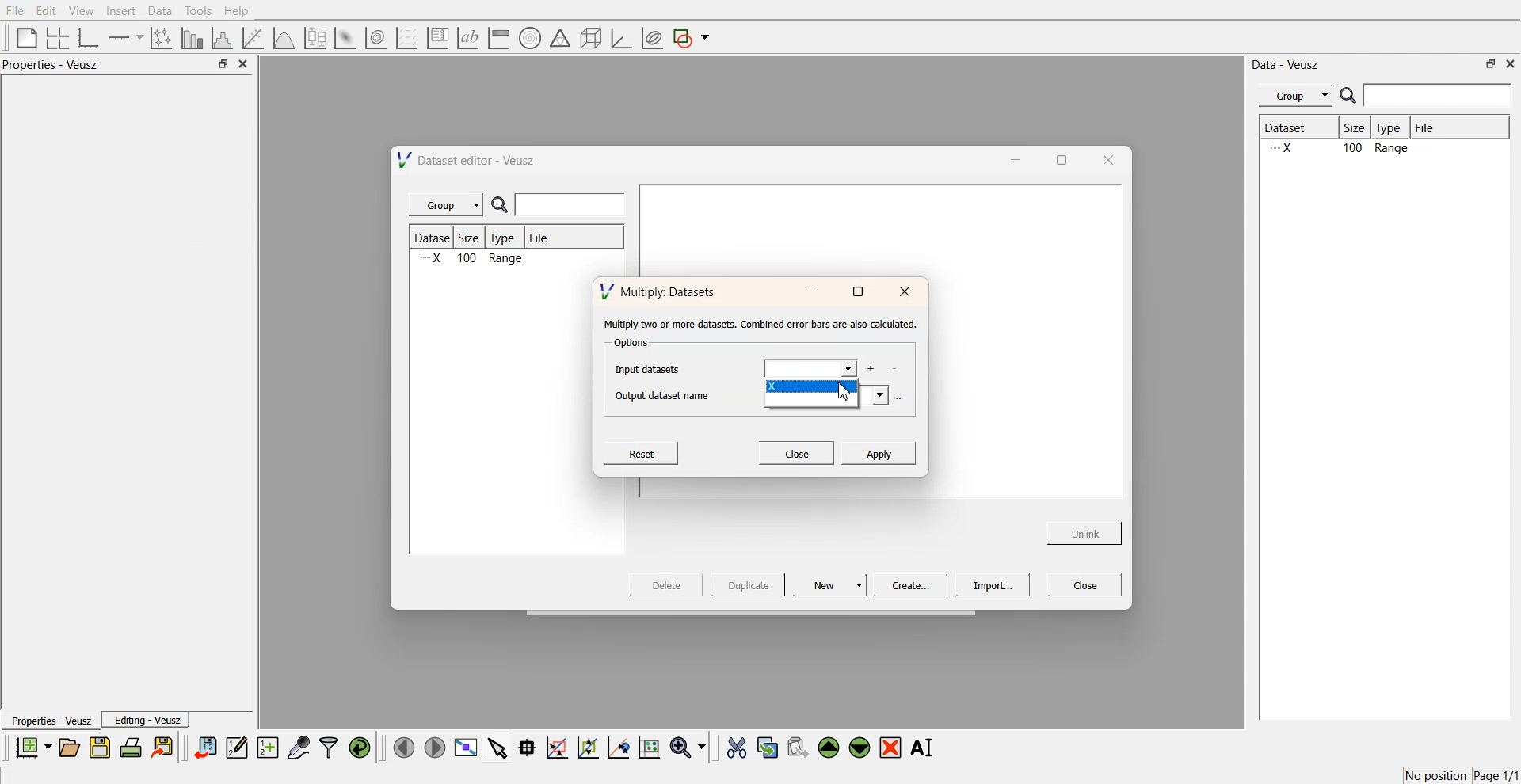 Image resolution: width=1521 pixels, height=784 pixels. I want to click on view plot full screen, so click(465, 748).